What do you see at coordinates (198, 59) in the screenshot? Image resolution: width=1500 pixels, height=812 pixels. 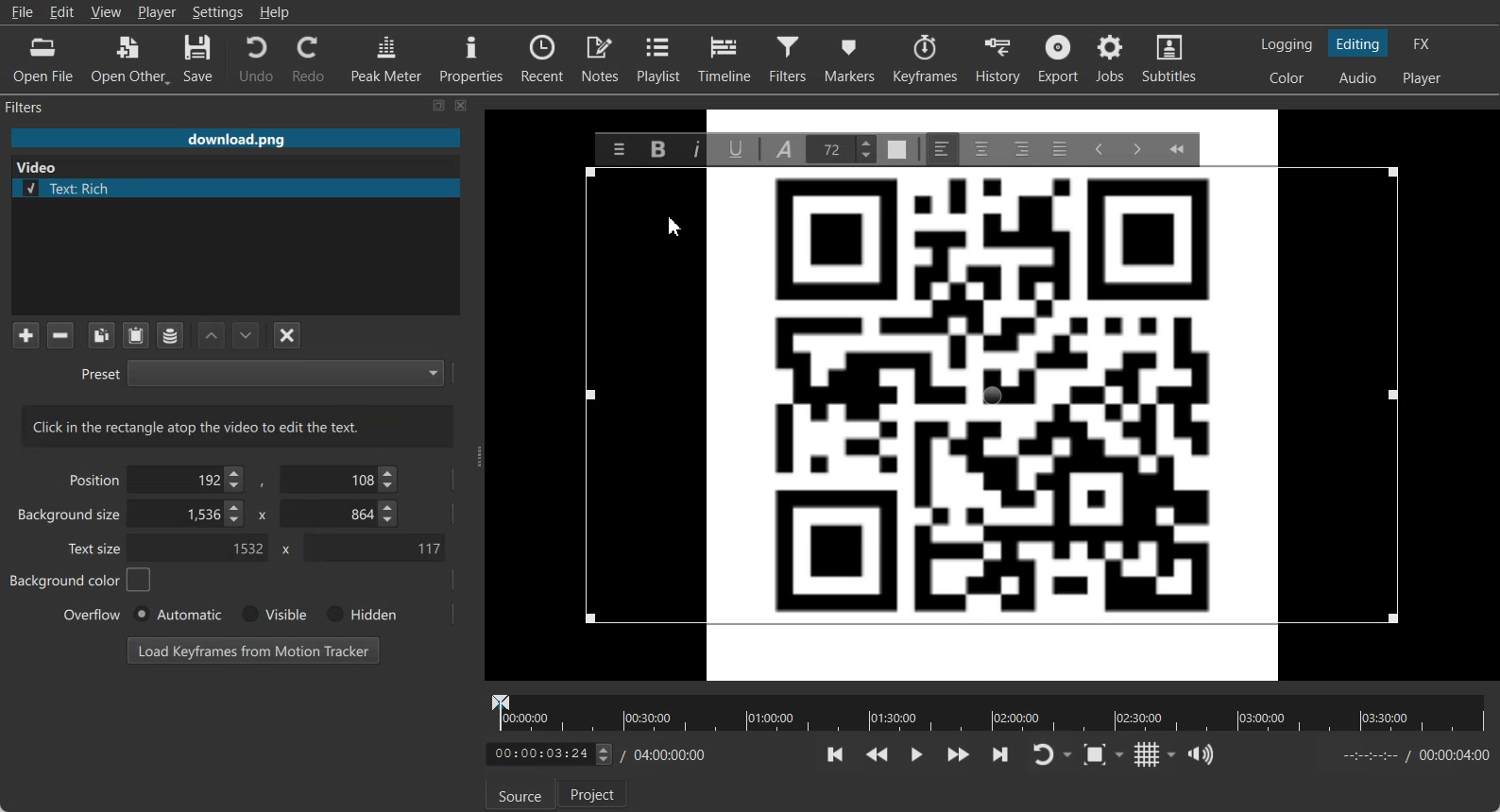 I see `Save` at bounding box center [198, 59].